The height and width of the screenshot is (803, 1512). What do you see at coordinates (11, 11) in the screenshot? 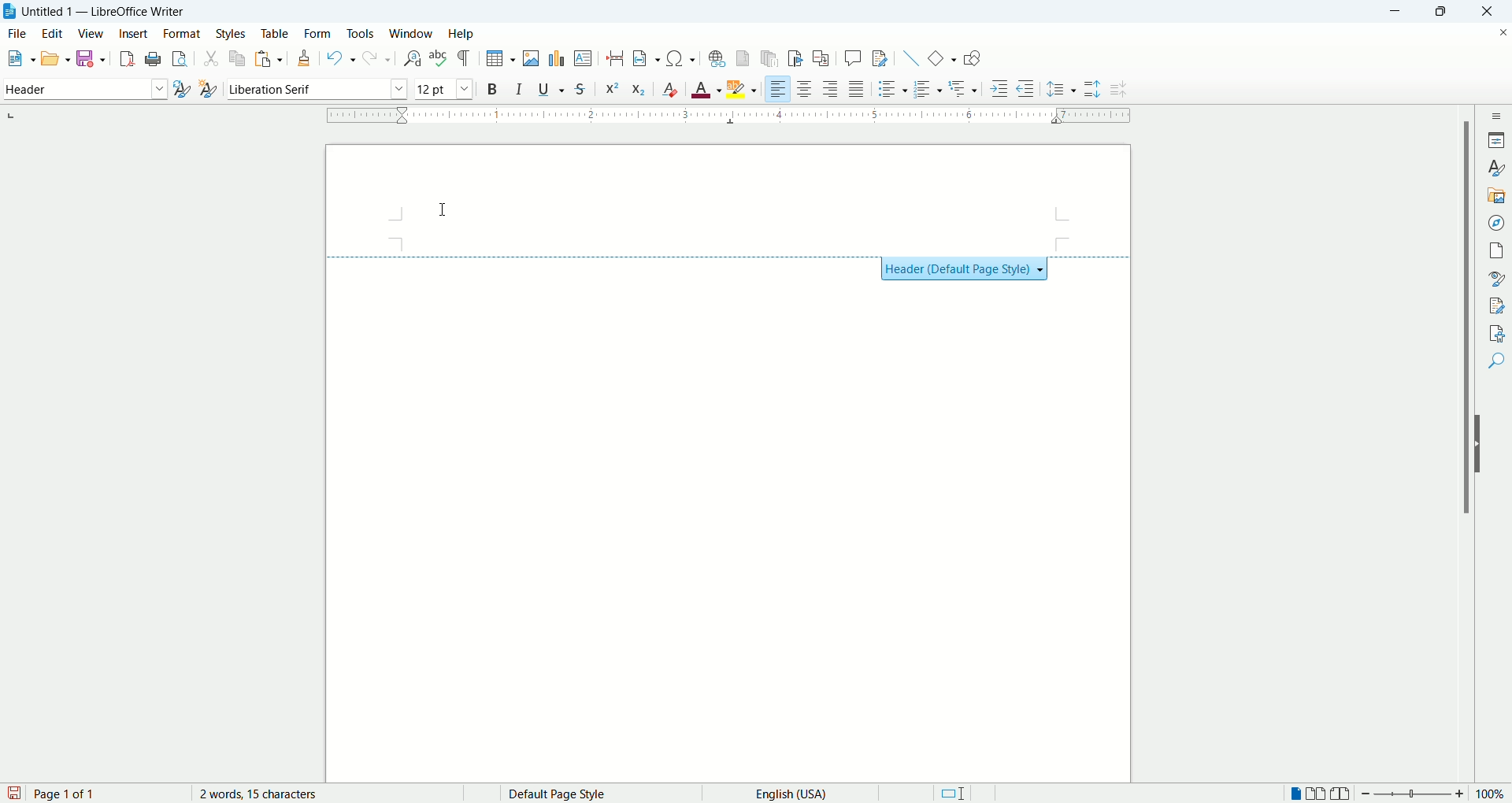
I see `application icon` at bounding box center [11, 11].